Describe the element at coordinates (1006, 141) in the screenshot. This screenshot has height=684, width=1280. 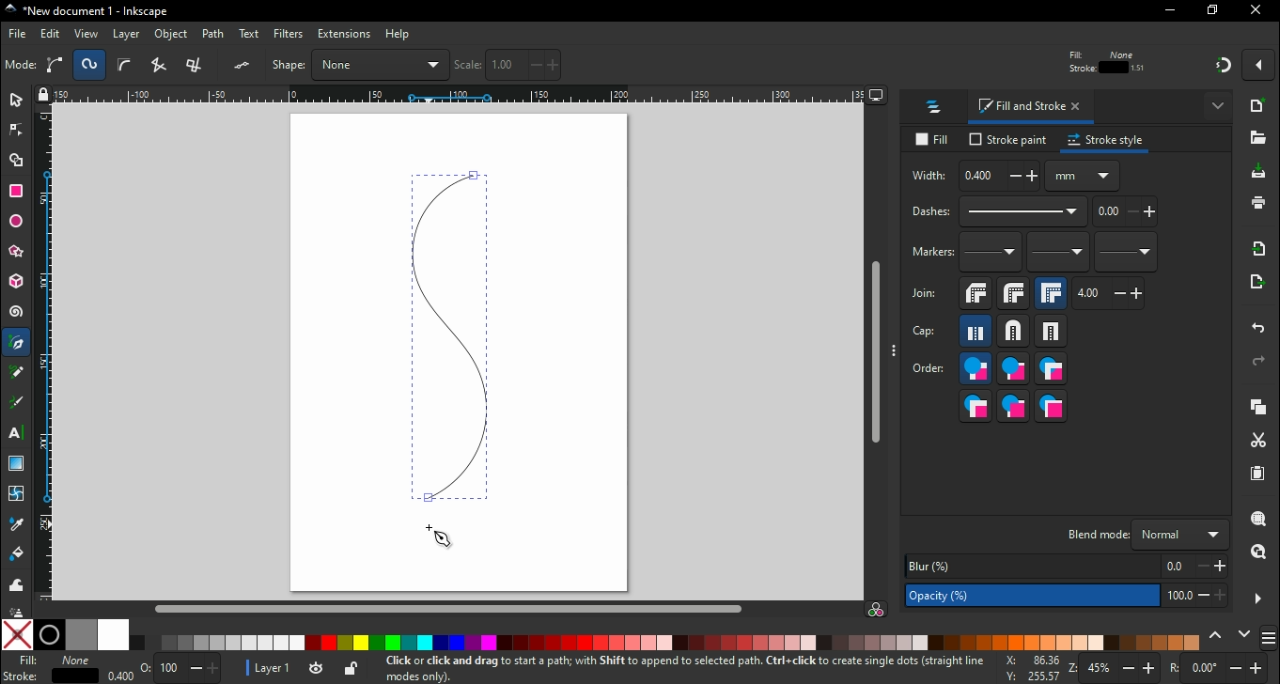
I see `stroke paint` at that location.